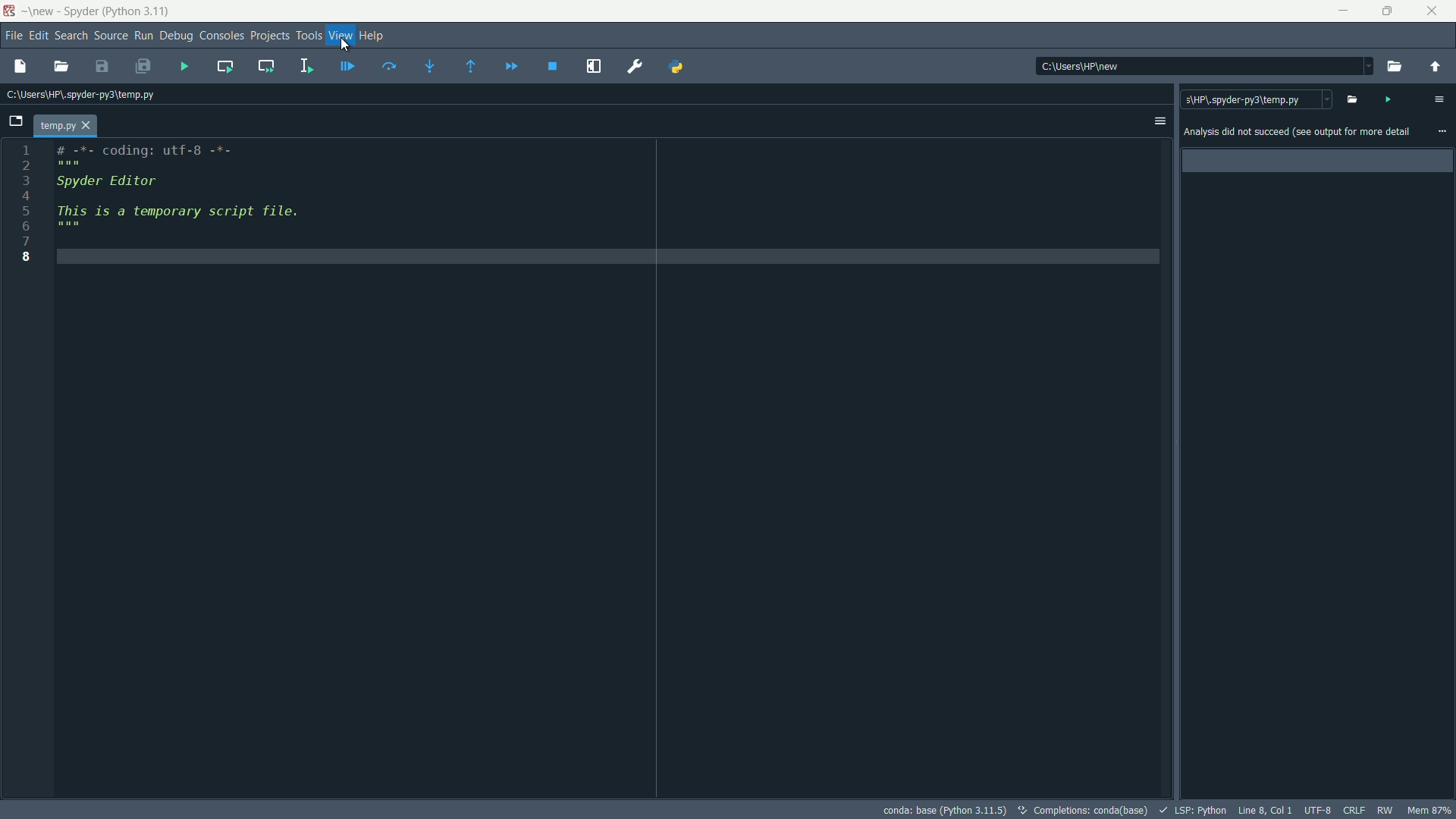 The height and width of the screenshot is (819, 1456). Describe the element at coordinates (1159, 121) in the screenshot. I see `options` at that location.